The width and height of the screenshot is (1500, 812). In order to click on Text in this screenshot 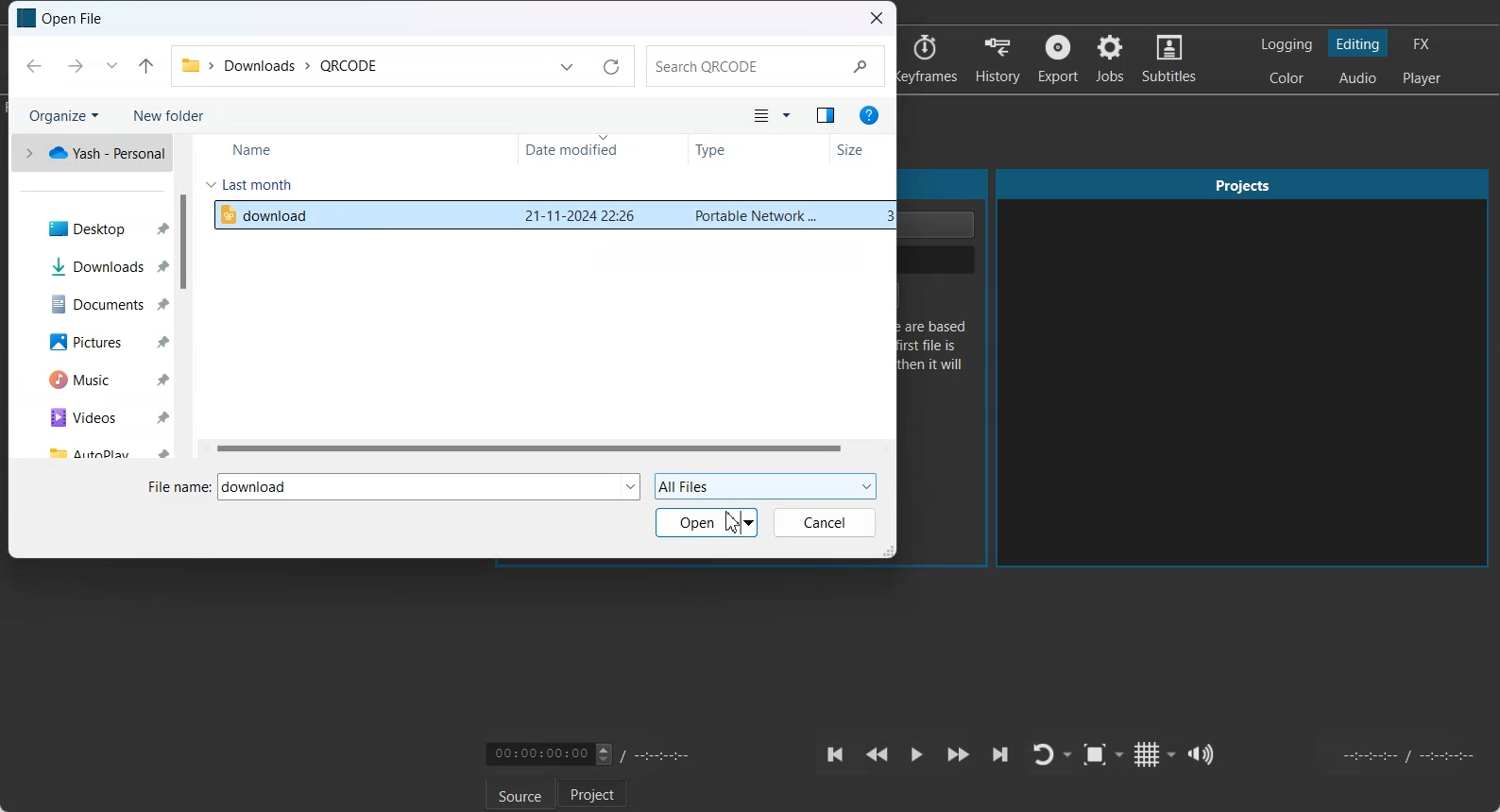, I will do `click(61, 18)`.